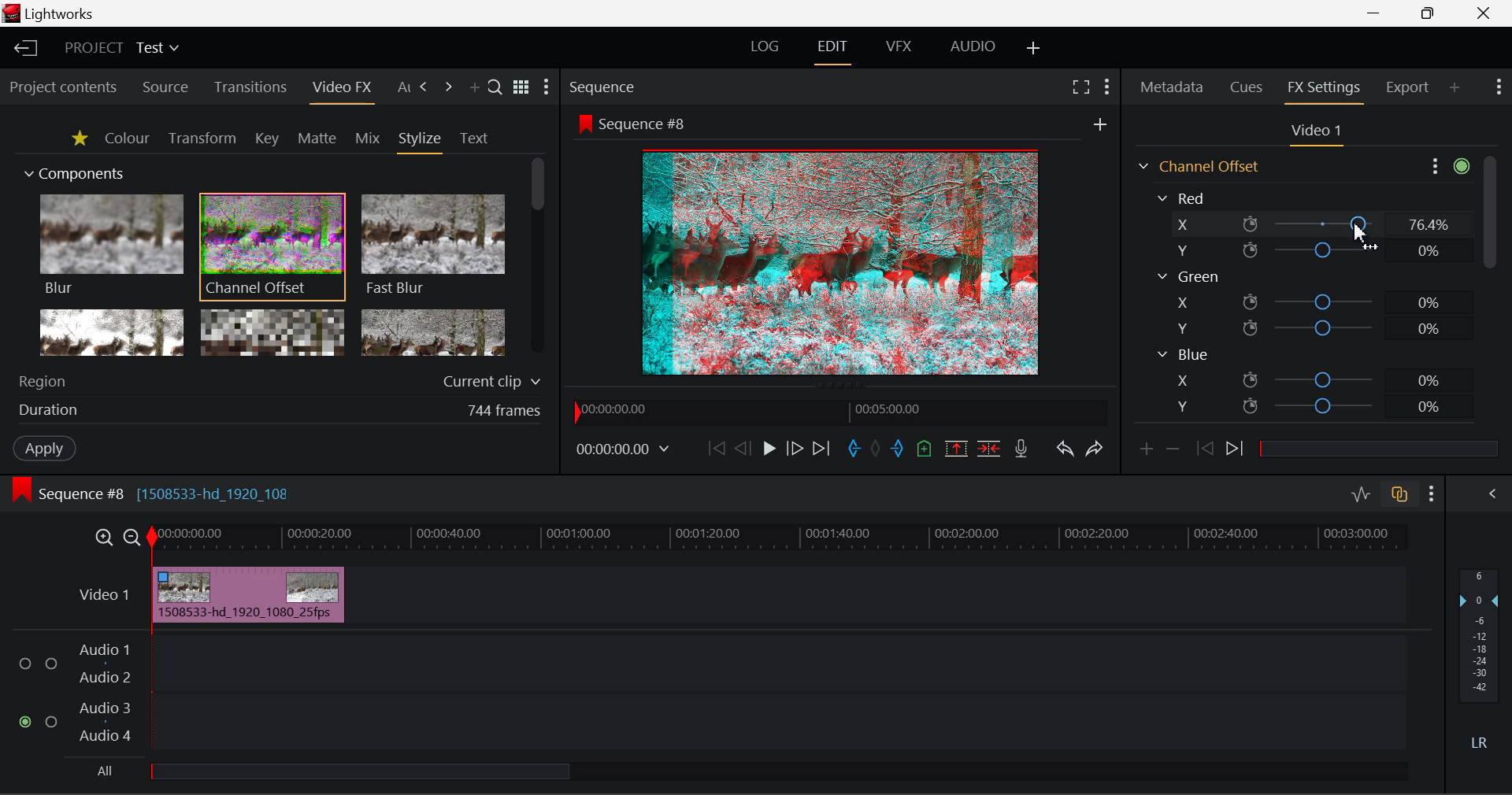 The height and width of the screenshot is (795, 1512). Describe the element at coordinates (1362, 221) in the screenshot. I see `MOUSE_UP Cursor Position` at that location.